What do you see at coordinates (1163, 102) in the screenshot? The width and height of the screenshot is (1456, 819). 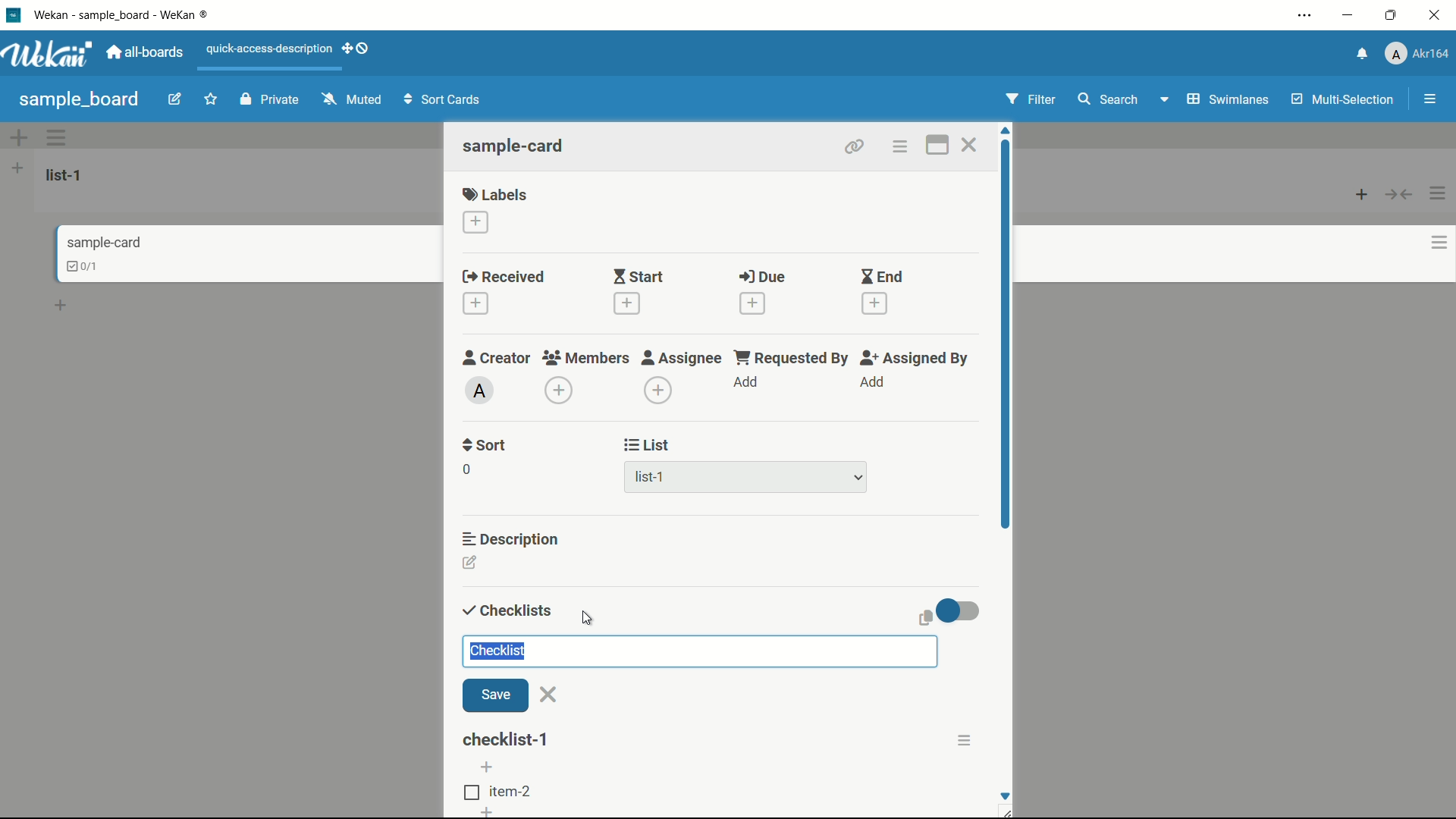 I see `dropdown` at bounding box center [1163, 102].